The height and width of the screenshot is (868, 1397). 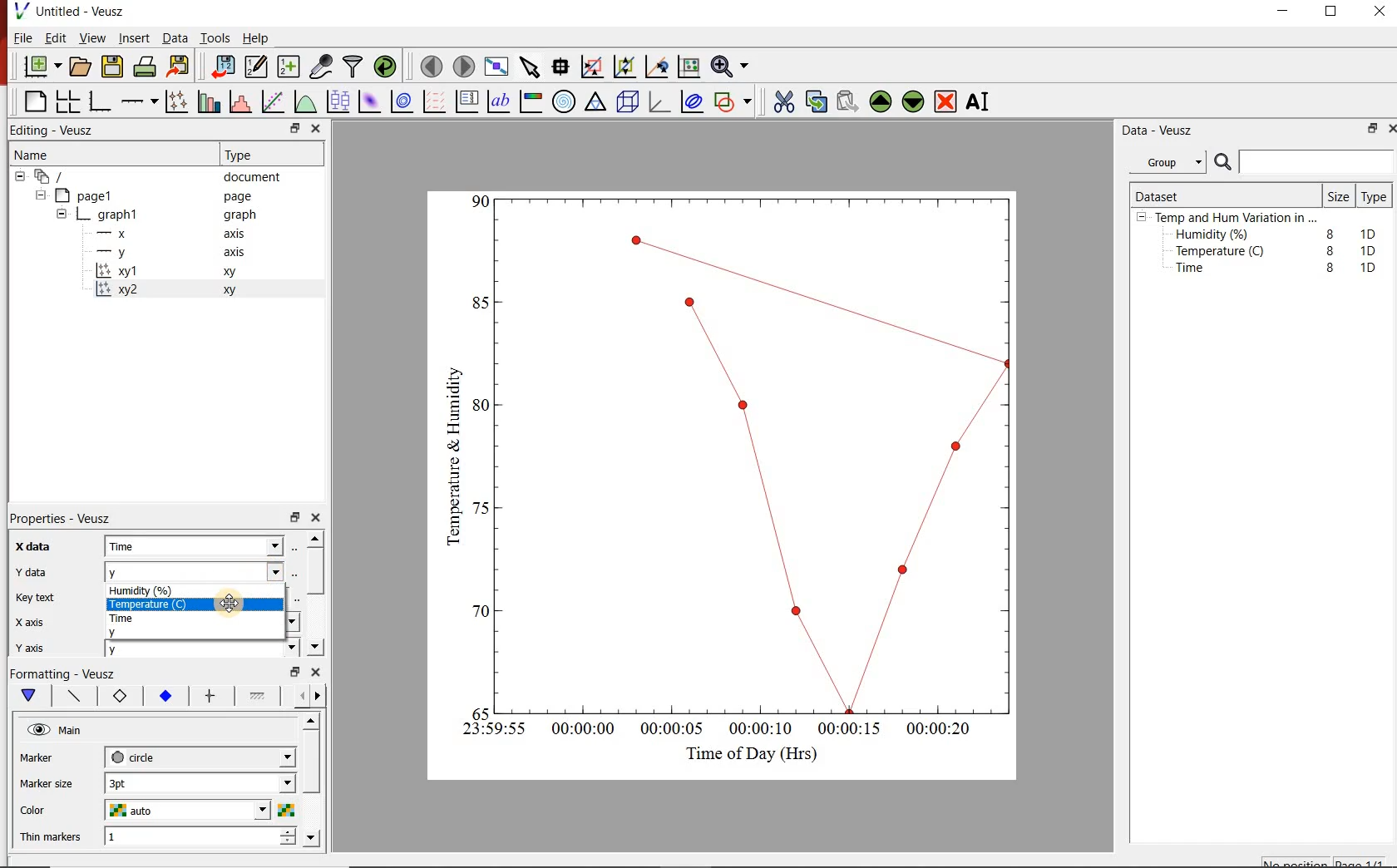 What do you see at coordinates (257, 67) in the screenshot?
I see `Edit and enter new datasets` at bounding box center [257, 67].